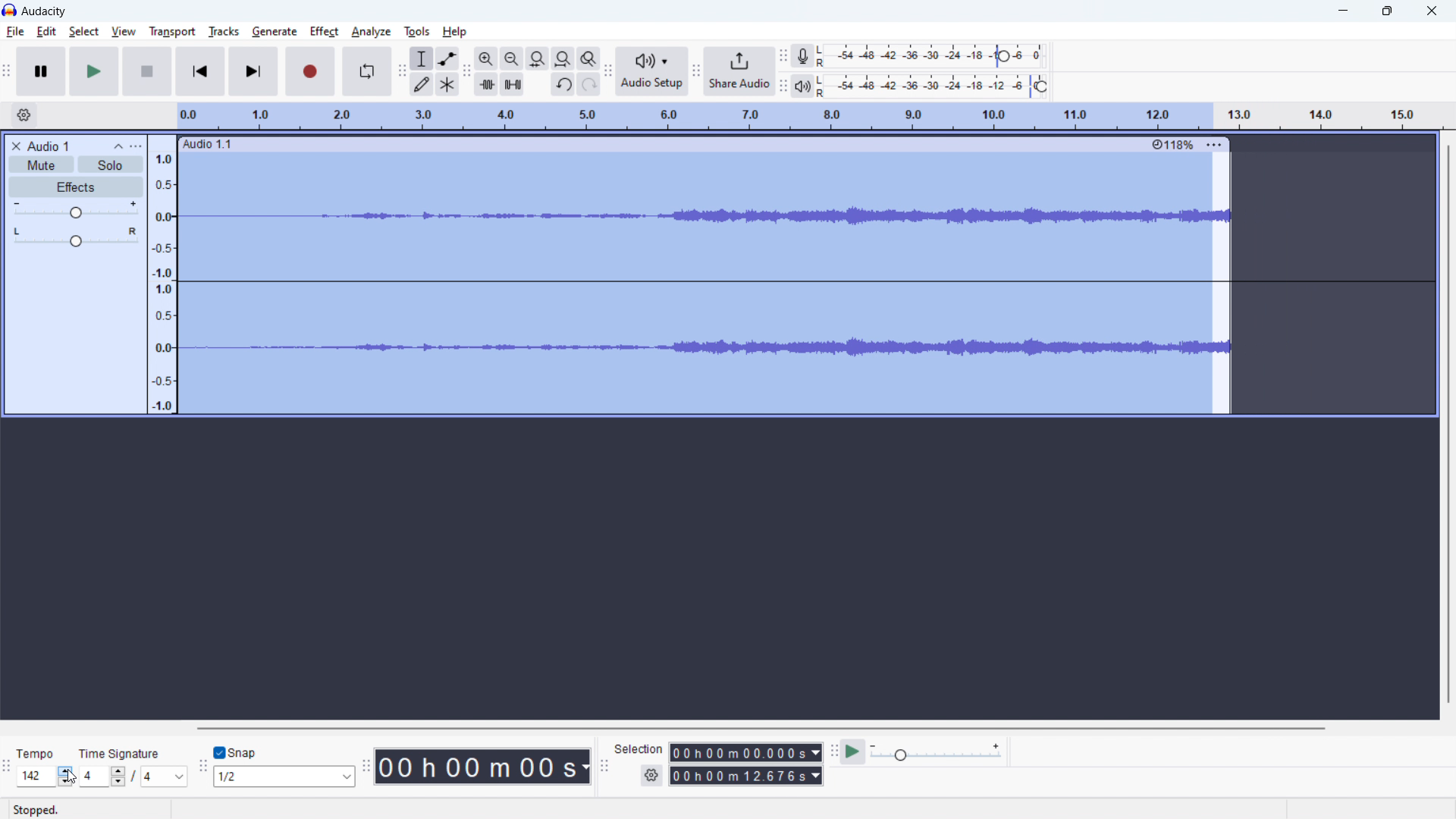  Describe the element at coordinates (110, 165) in the screenshot. I see `solo` at that location.